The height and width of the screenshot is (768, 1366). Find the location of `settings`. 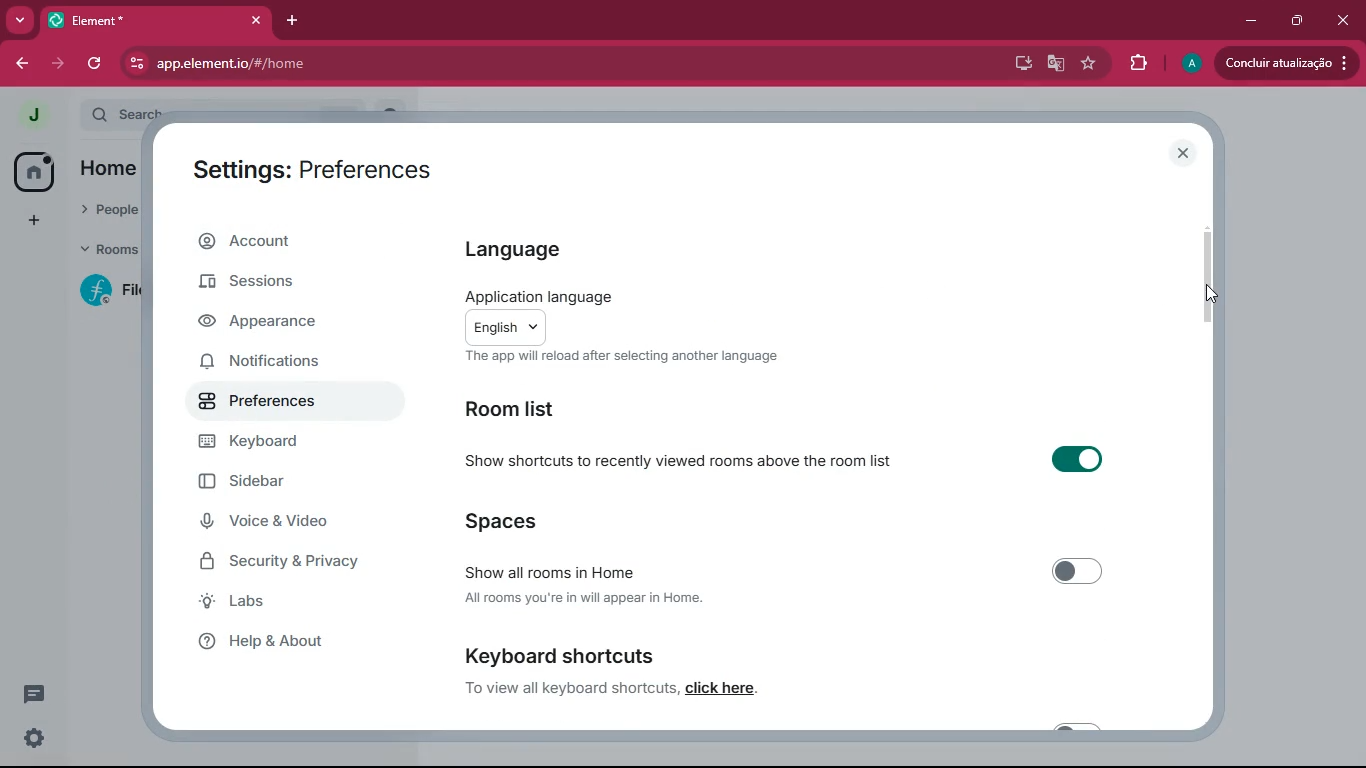

settings is located at coordinates (32, 738).